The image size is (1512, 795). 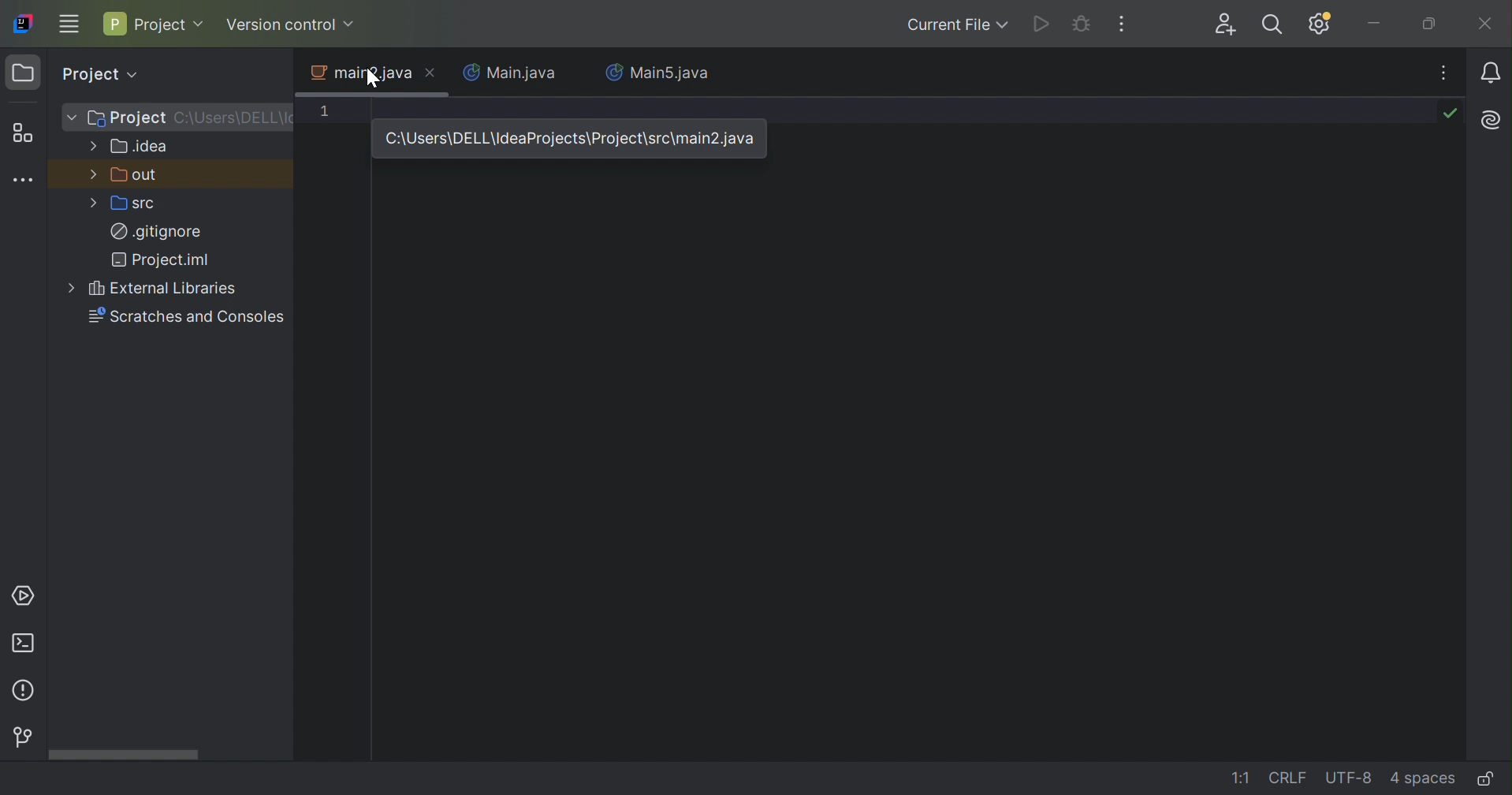 What do you see at coordinates (19, 738) in the screenshot?
I see `Version control` at bounding box center [19, 738].